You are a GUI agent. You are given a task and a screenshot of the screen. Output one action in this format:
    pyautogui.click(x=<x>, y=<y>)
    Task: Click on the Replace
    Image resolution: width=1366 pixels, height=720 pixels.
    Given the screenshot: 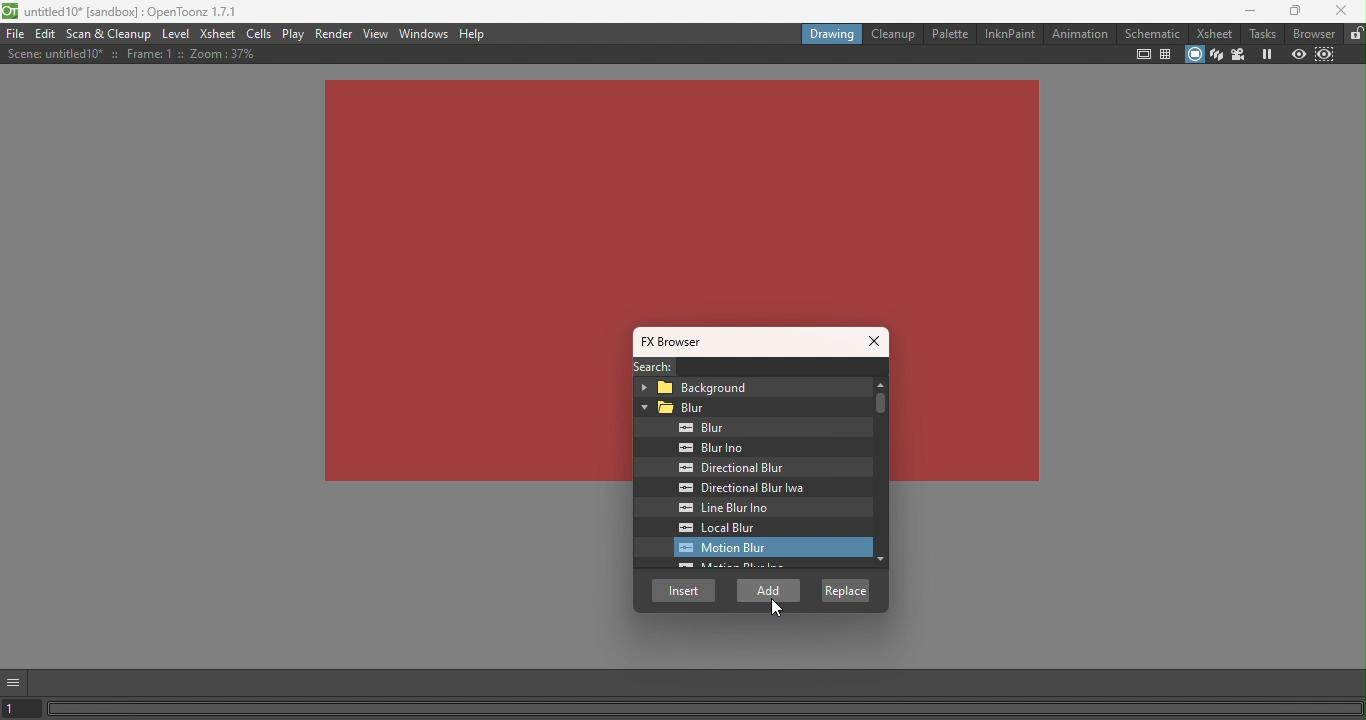 What is the action you would take?
    pyautogui.click(x=844, y=589)
    